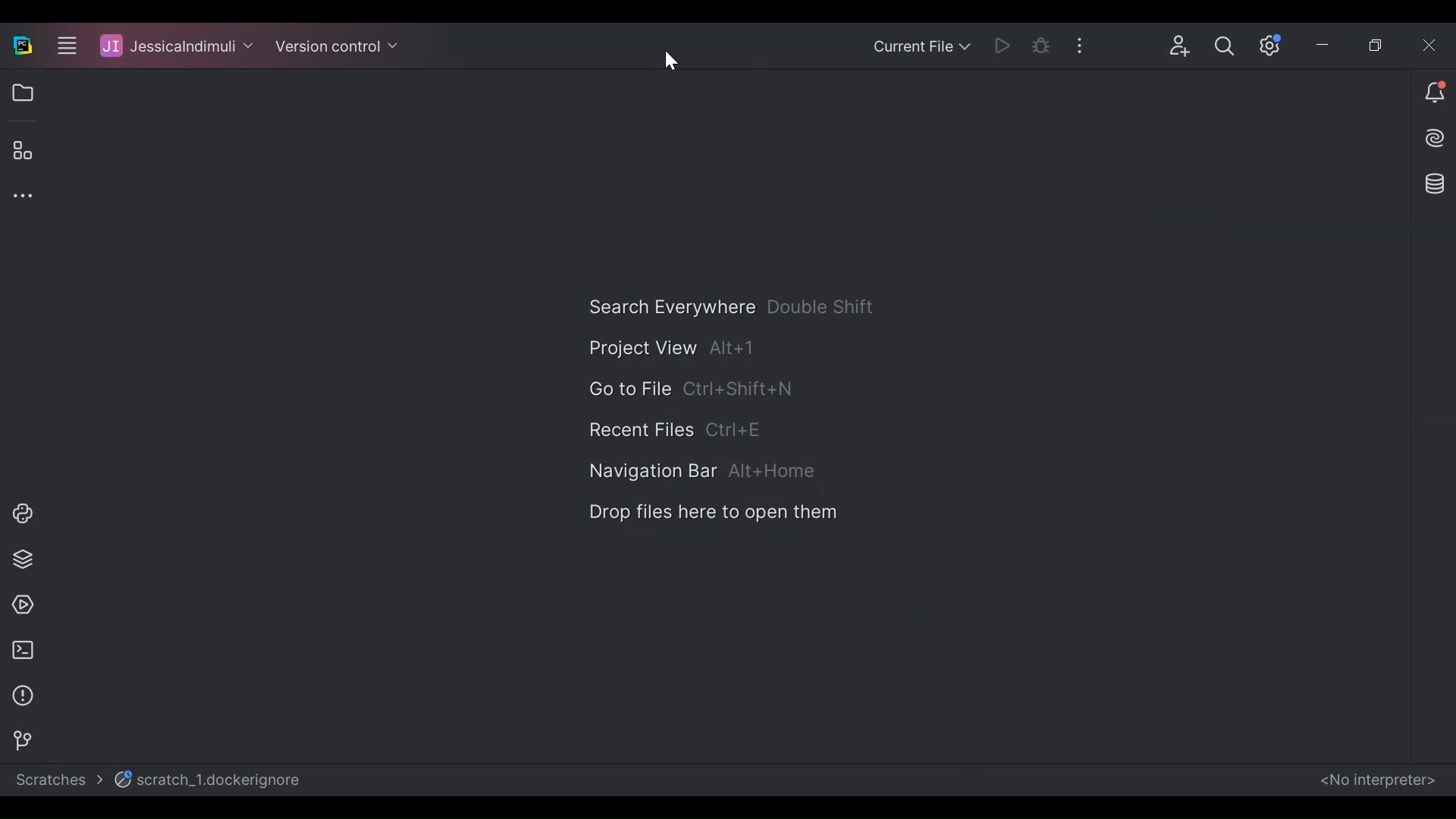 The image size is (1456, 819). What do you see at coordinates (1090, 43) in the screenshot?
I see `more` at bounding box center [1090, 43].